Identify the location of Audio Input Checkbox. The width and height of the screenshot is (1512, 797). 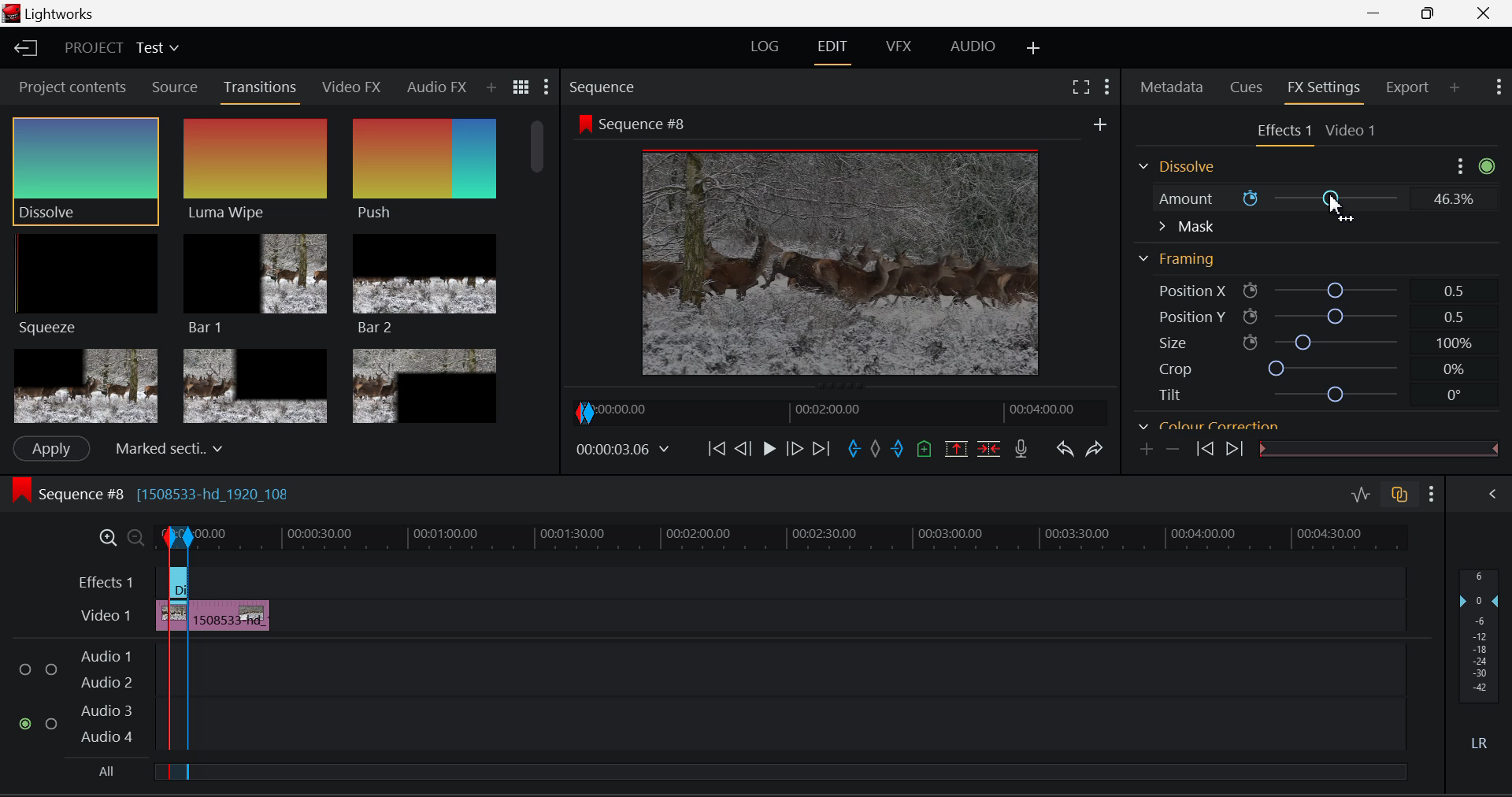
(51, 664).